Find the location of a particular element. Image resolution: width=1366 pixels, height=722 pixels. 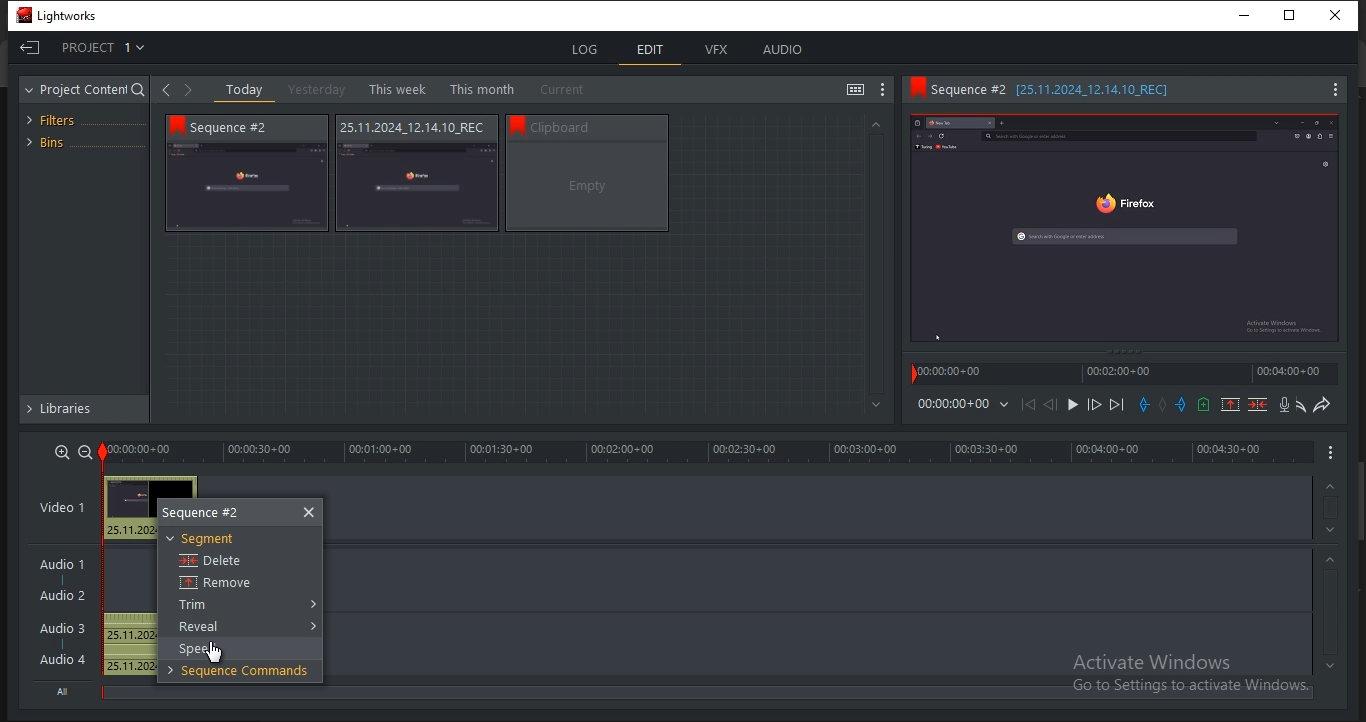

today is located at coordinates (245, 90).